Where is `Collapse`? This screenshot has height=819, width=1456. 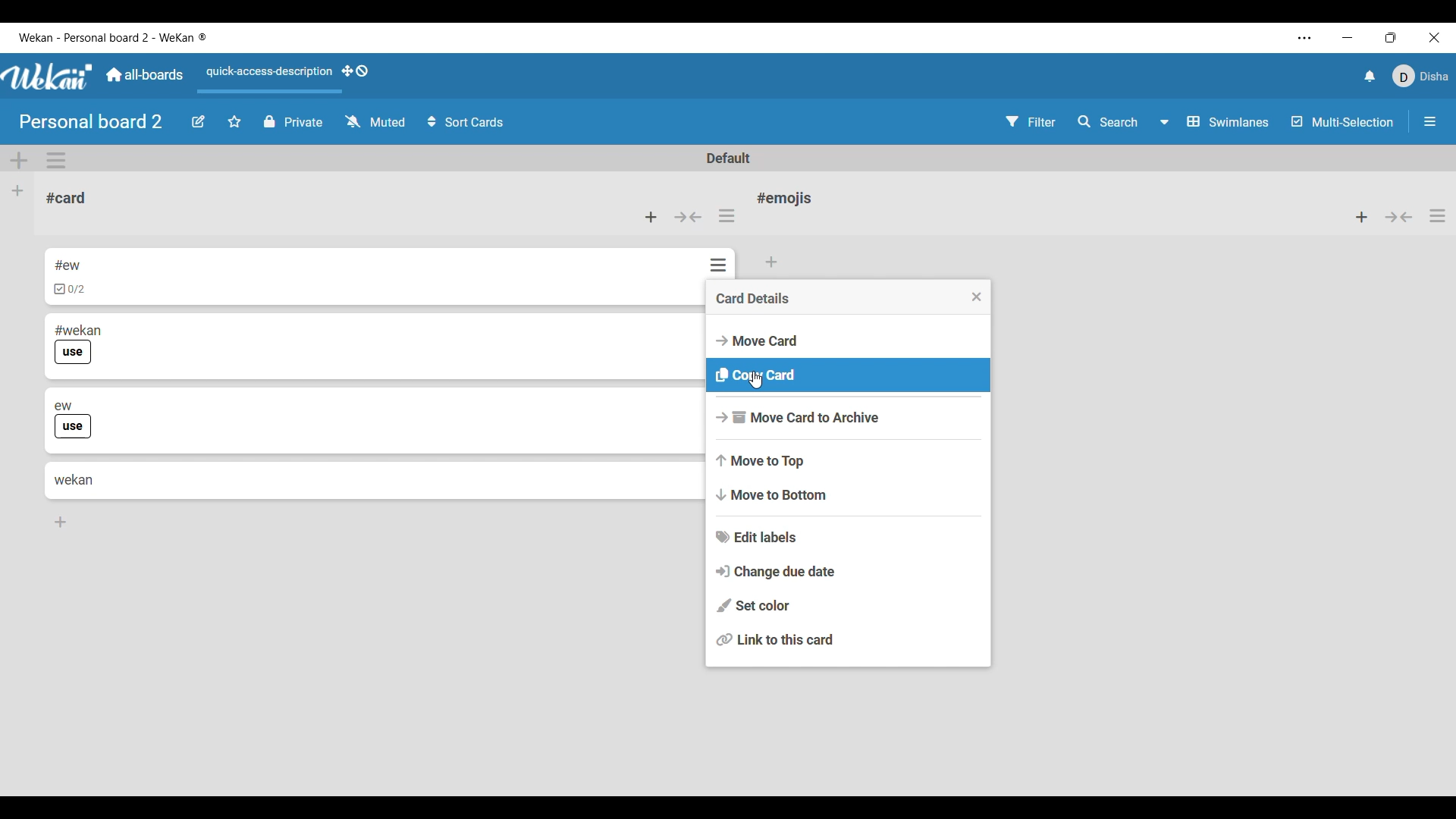 Collapse is located at coordinates (687, 218).